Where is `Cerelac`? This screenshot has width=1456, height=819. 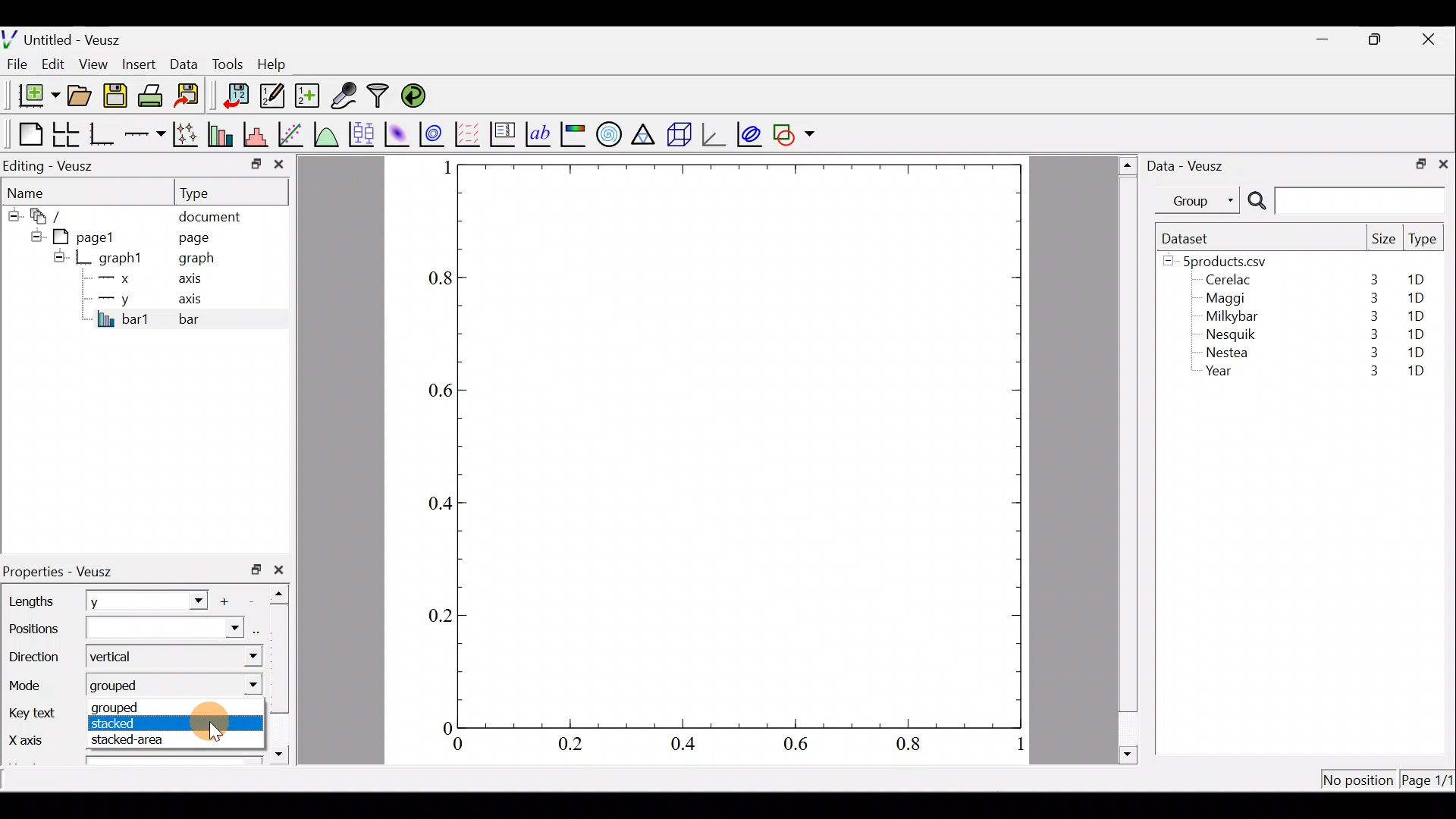 Cerelac is located at coordinates (1225, 281).